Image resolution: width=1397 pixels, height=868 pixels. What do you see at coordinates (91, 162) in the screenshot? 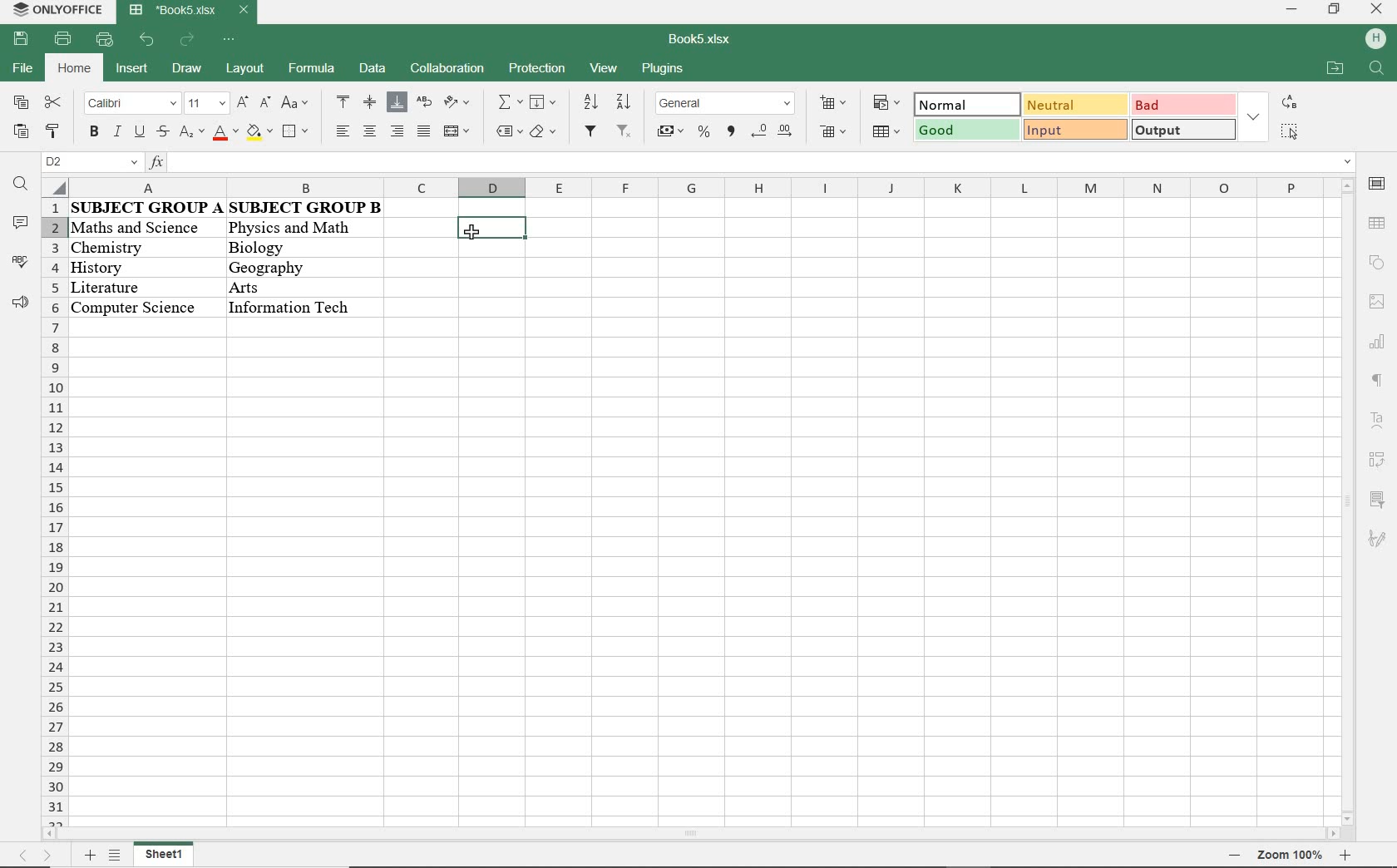
I see `name manager` at bounding box center [91, 162].